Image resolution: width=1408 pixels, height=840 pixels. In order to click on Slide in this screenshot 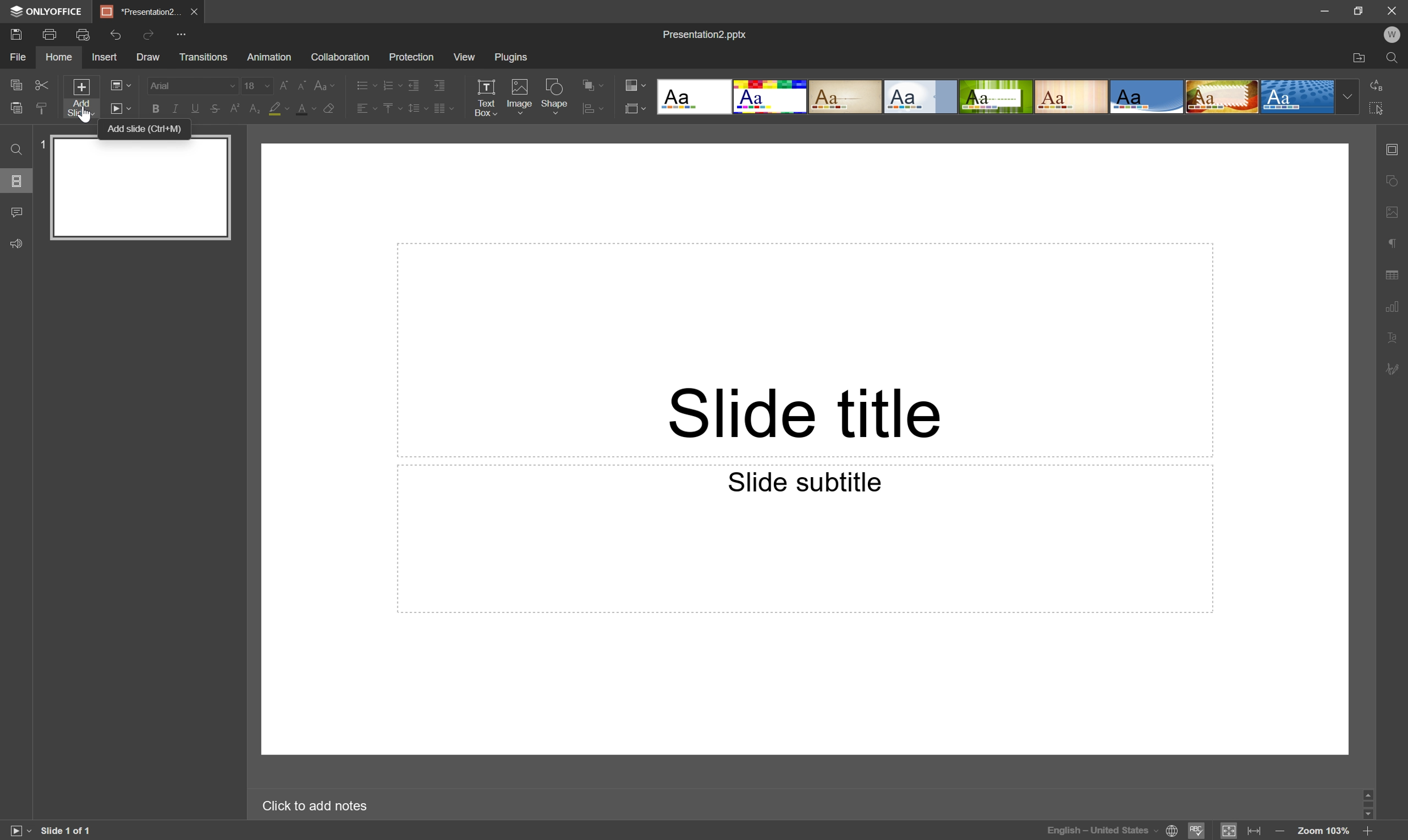, I will do `click(142, 188)`.